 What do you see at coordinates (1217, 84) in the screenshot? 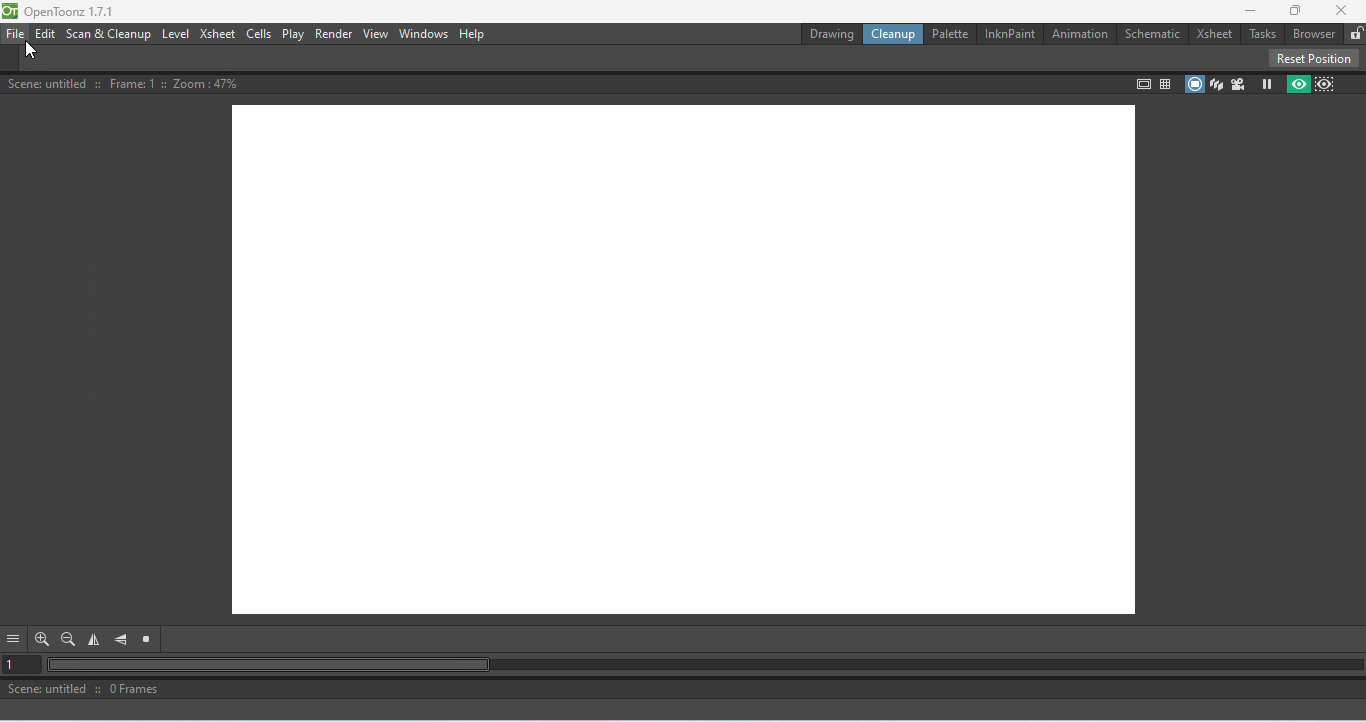
I see `3D view` at bounding box center [1217, 84].